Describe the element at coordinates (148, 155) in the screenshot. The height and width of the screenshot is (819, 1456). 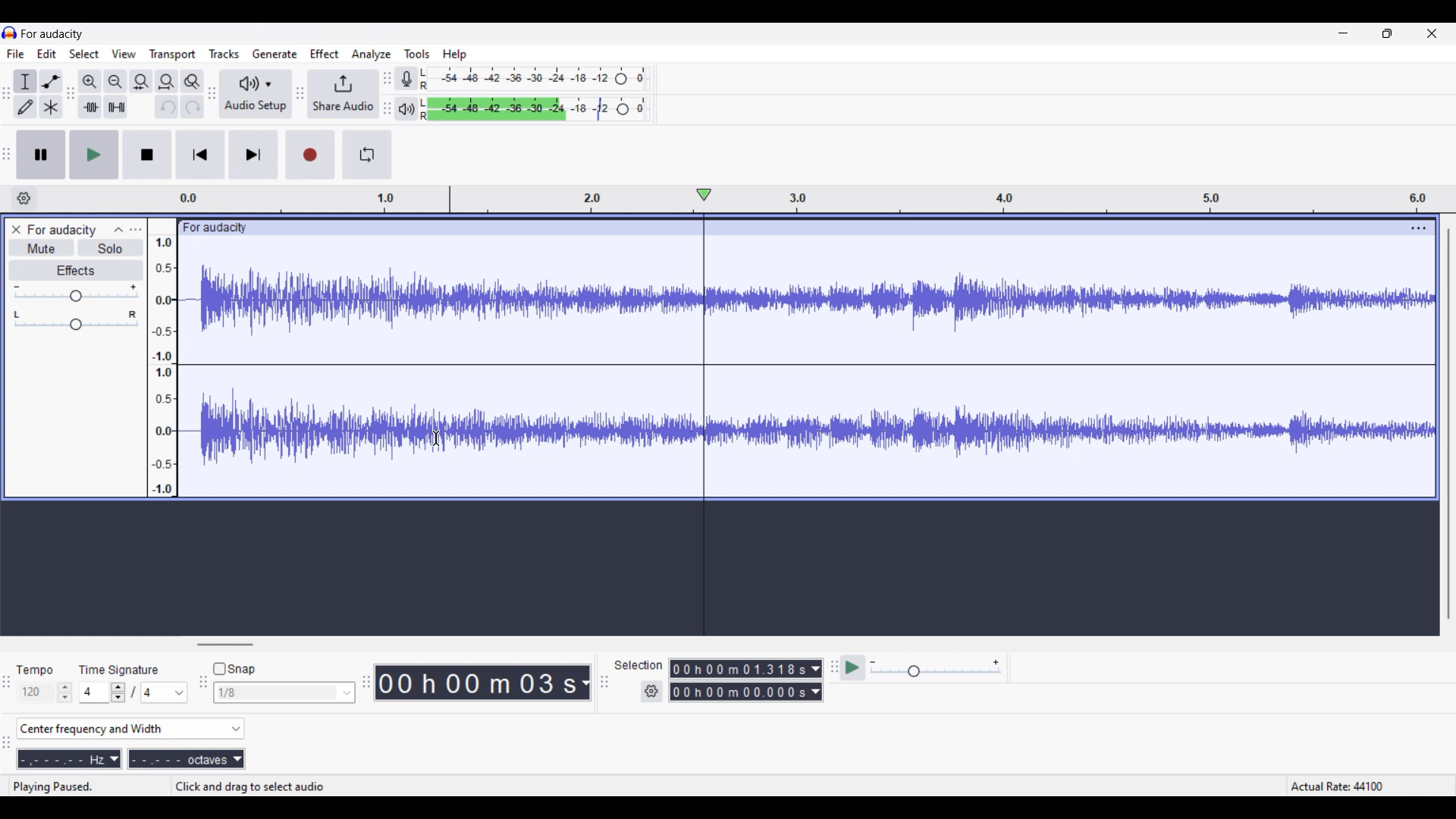
I see `Stop` at that location.